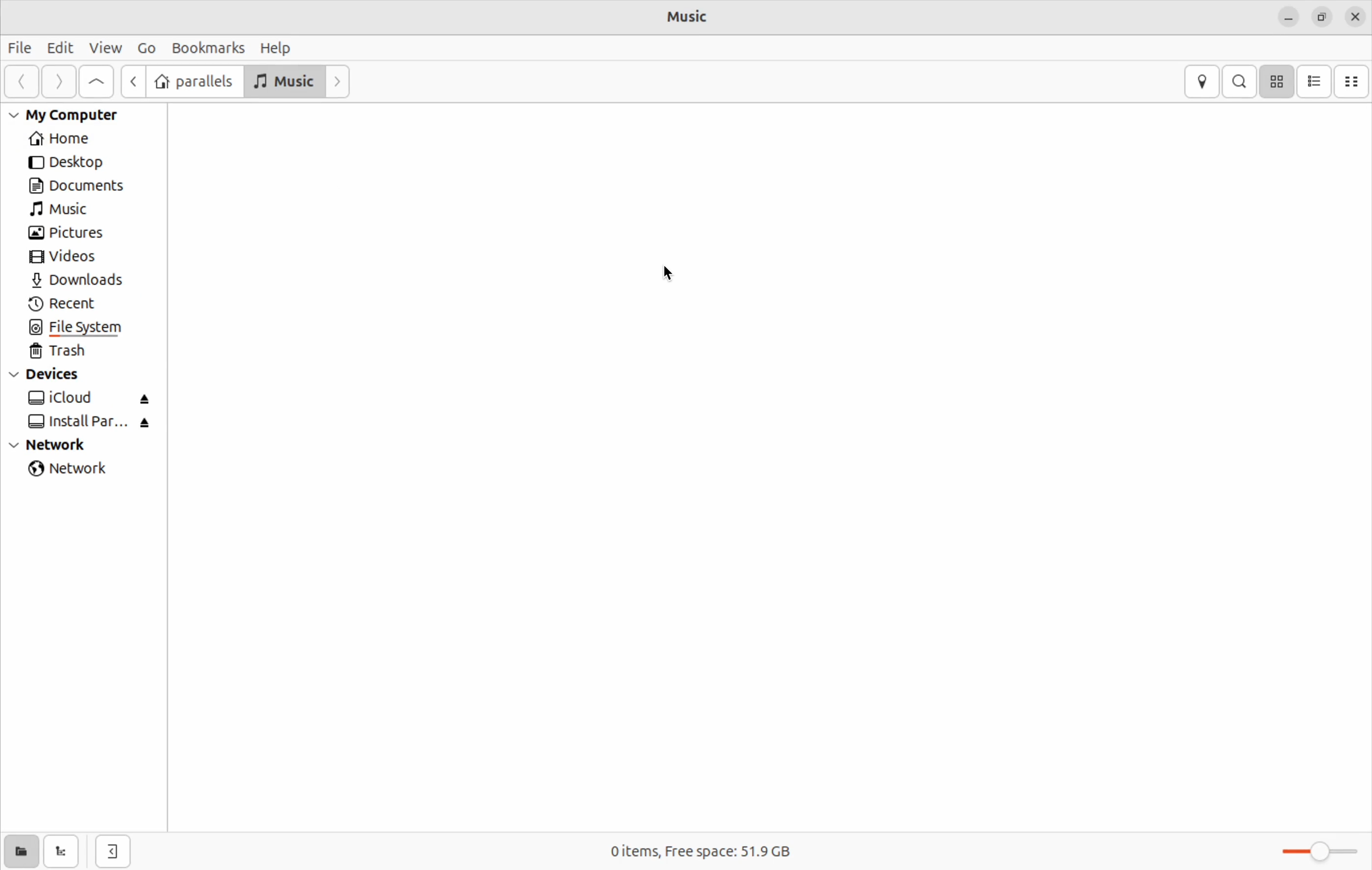 This screenshot has width=1372, height=870. I want to click on network, so click(60, 446).